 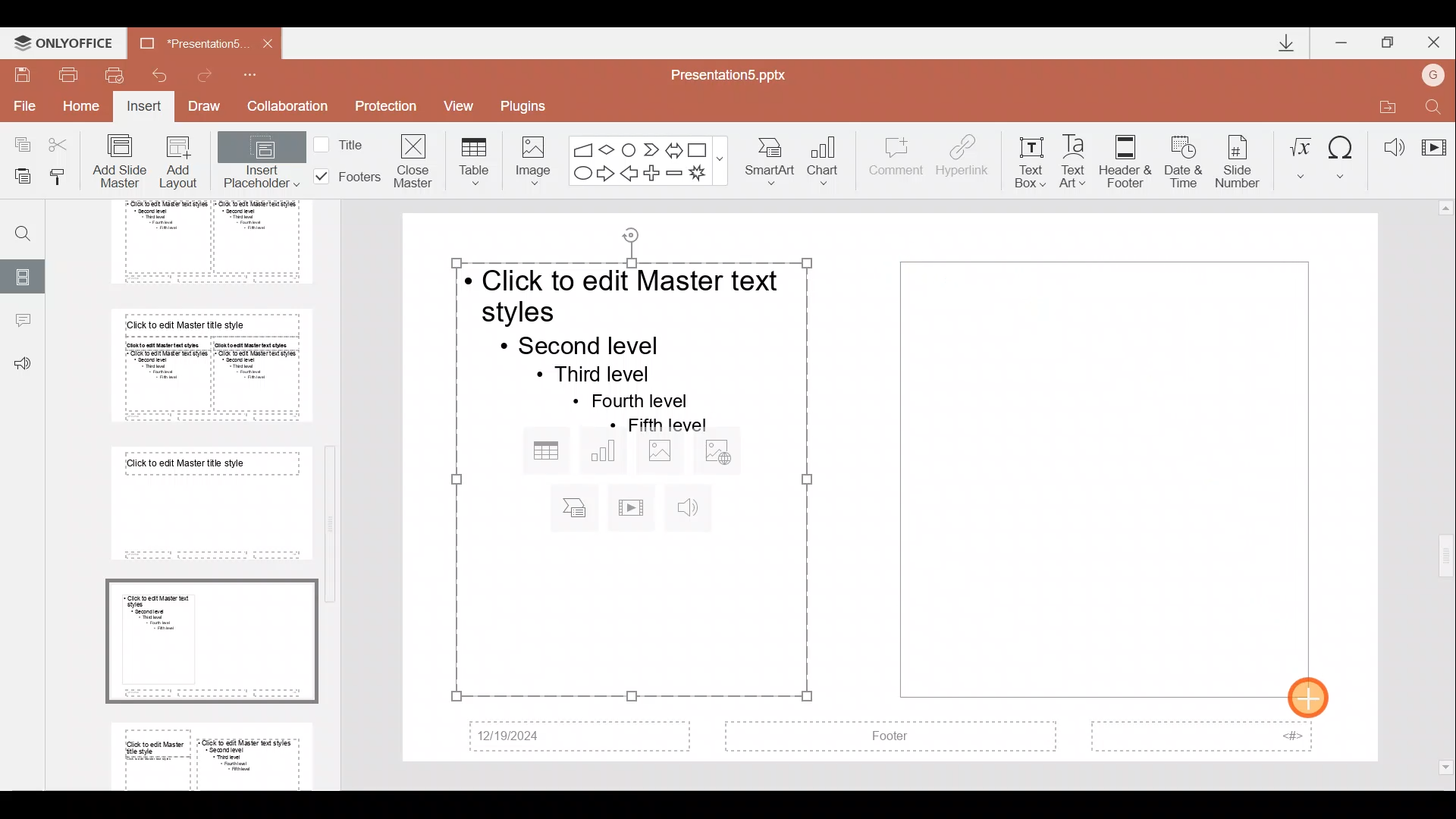 I want to click on Chevron, so click(x=649, y=148).